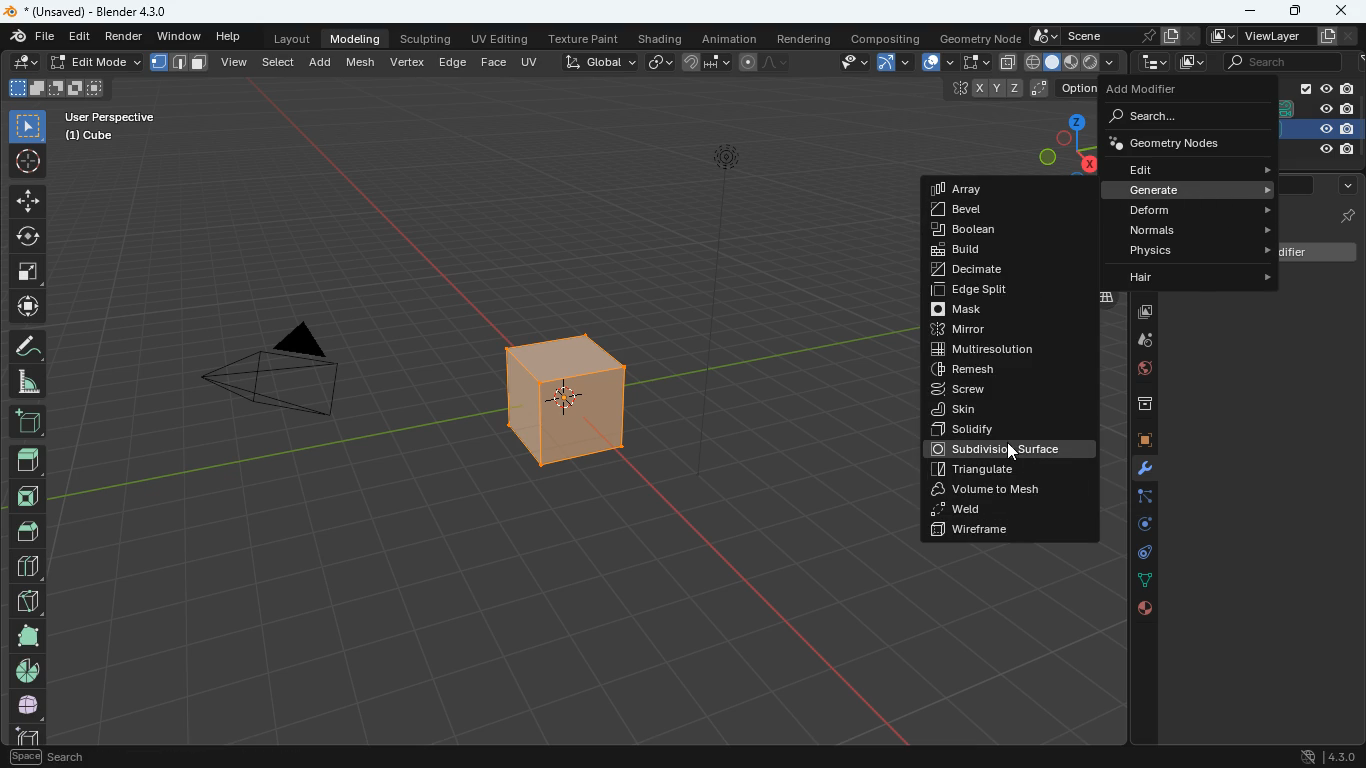  I want to click on globe, so click(1137, 372).